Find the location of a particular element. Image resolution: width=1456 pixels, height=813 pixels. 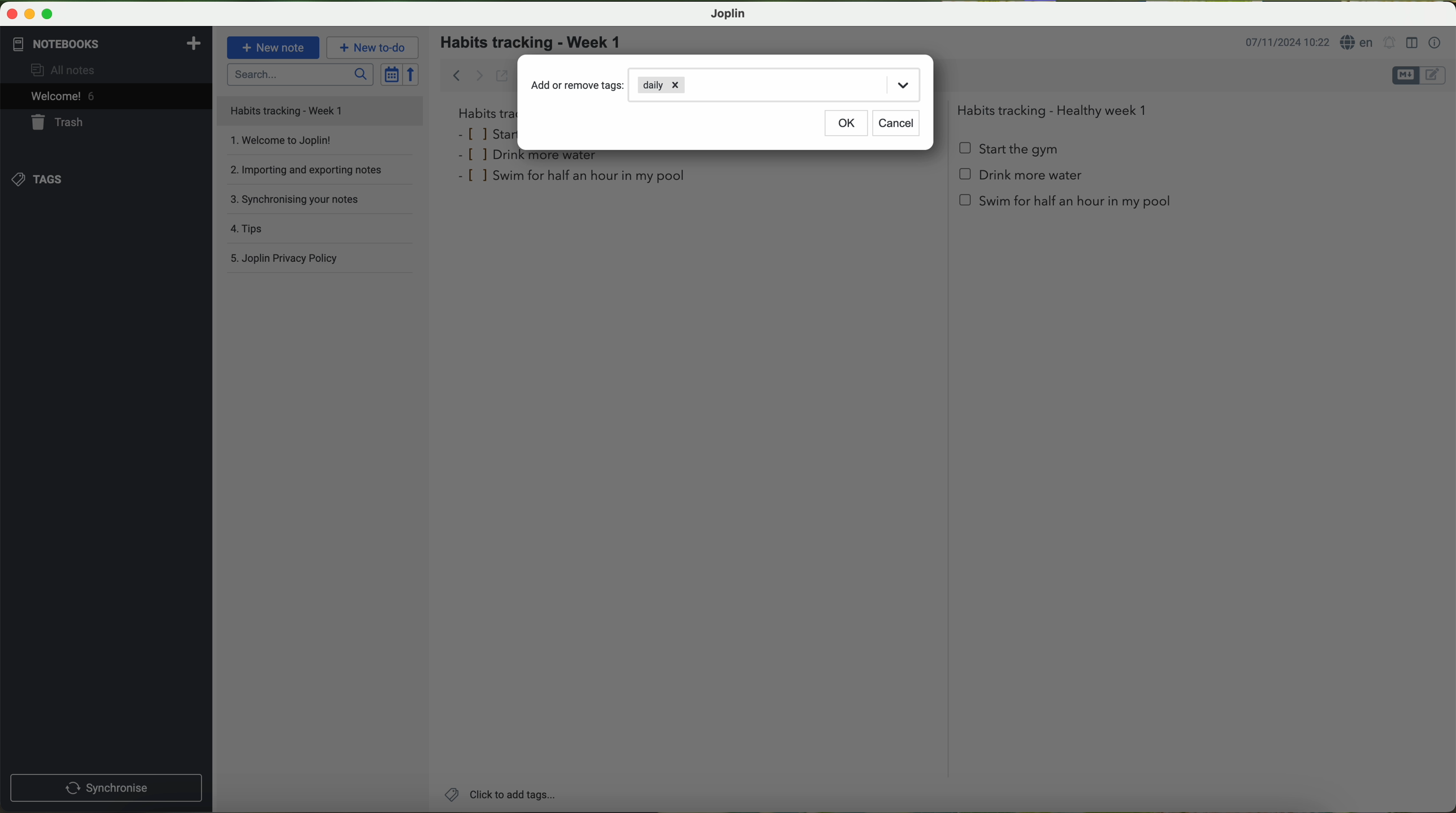

new to-do button is located at coordinates (372, 47).